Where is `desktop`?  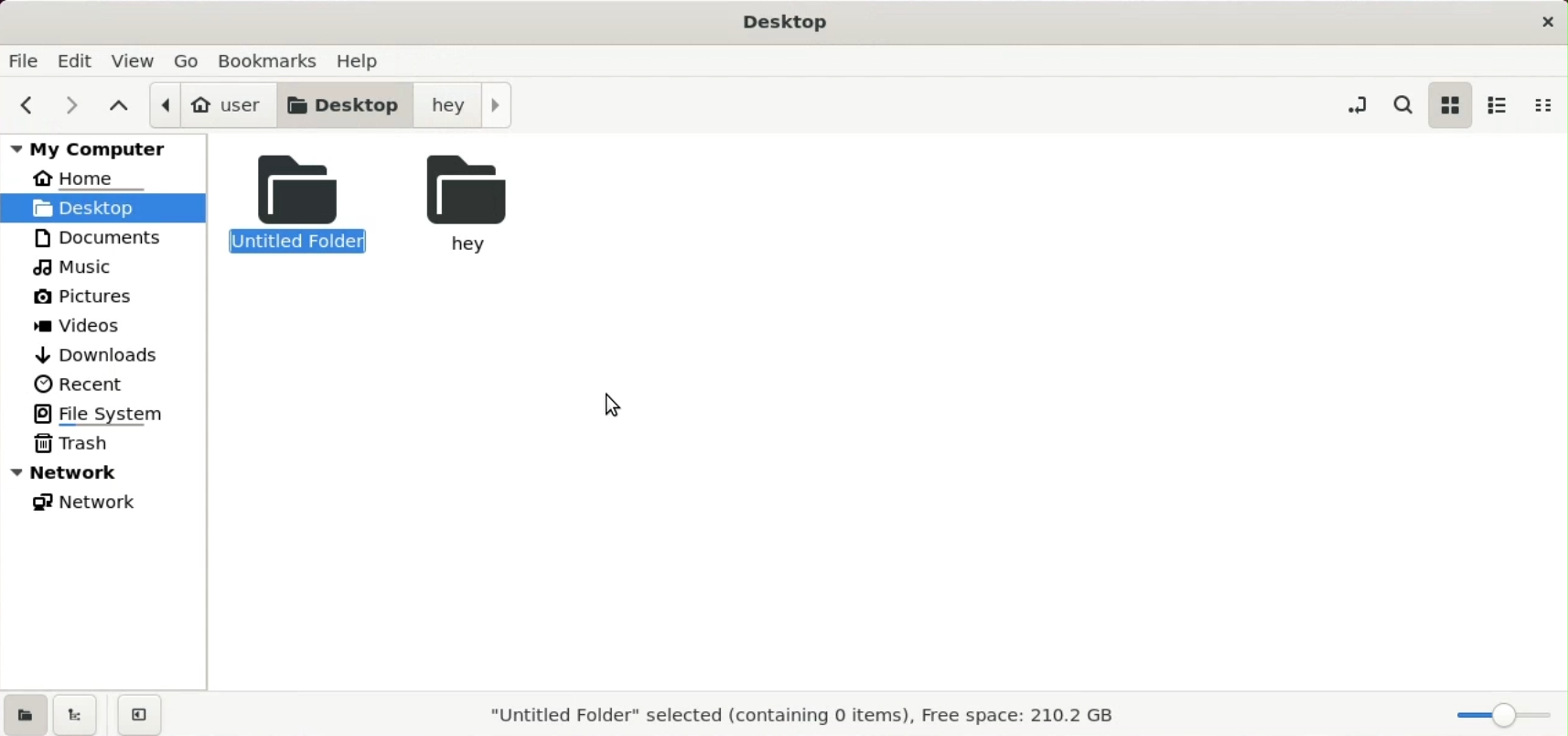
desktop is located at coordinates (350, 105).